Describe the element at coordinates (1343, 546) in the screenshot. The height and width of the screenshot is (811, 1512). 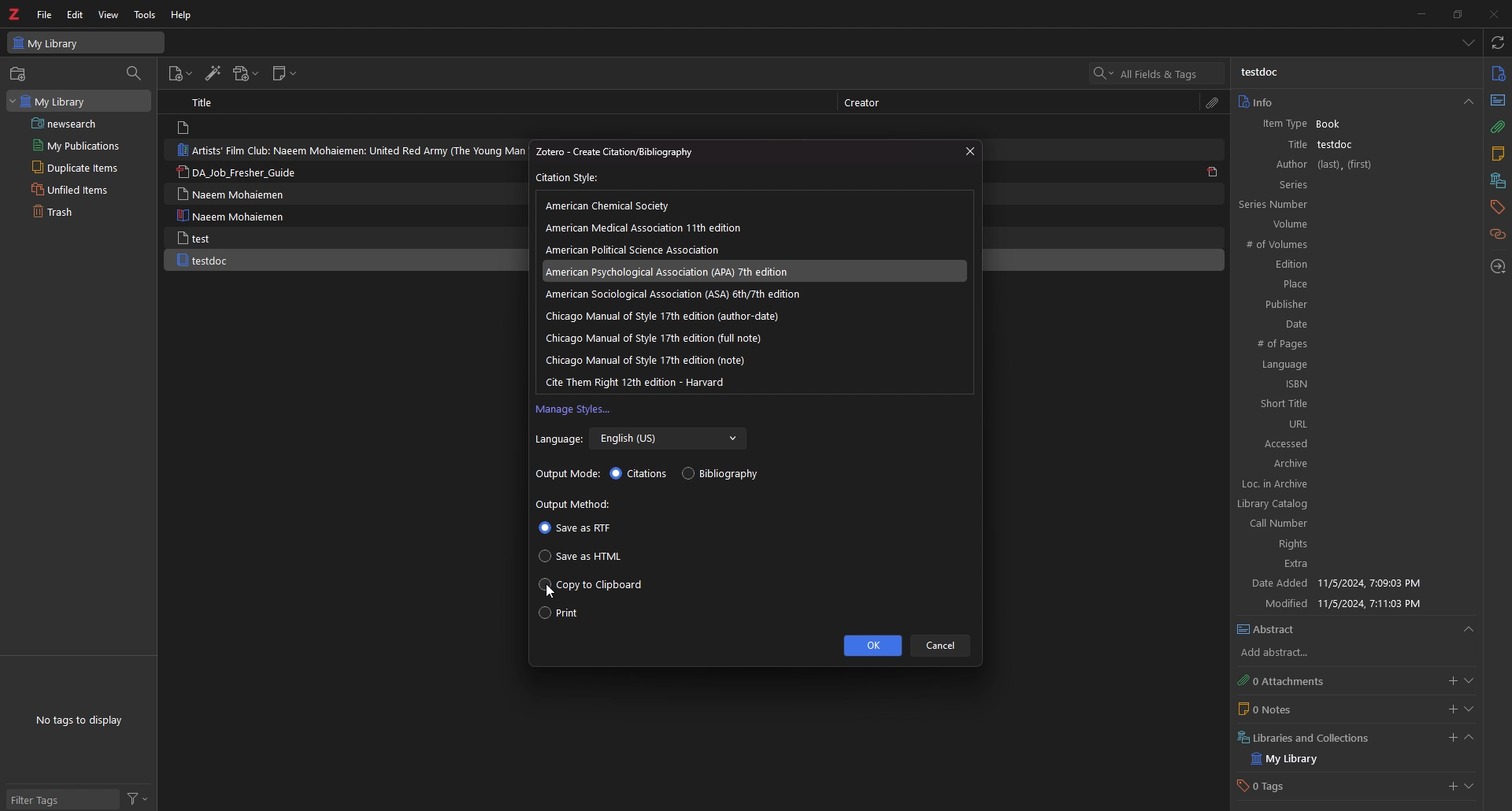
I see `Rights` at that location.